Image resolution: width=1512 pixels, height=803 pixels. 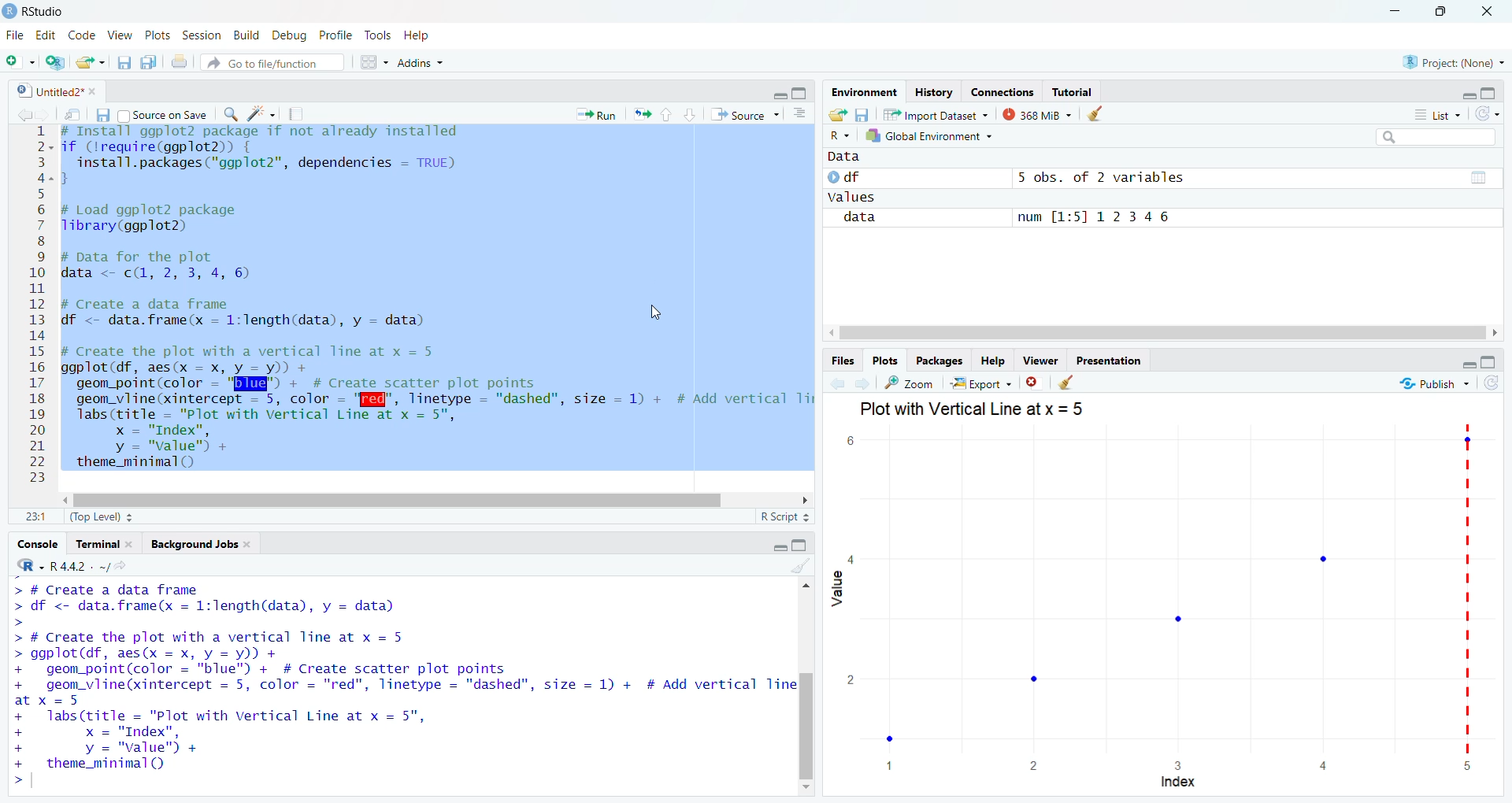 What do you see at coordinates (1098, 114) in the screenshot?
I see `clear` at bounding box center [1098, 114].